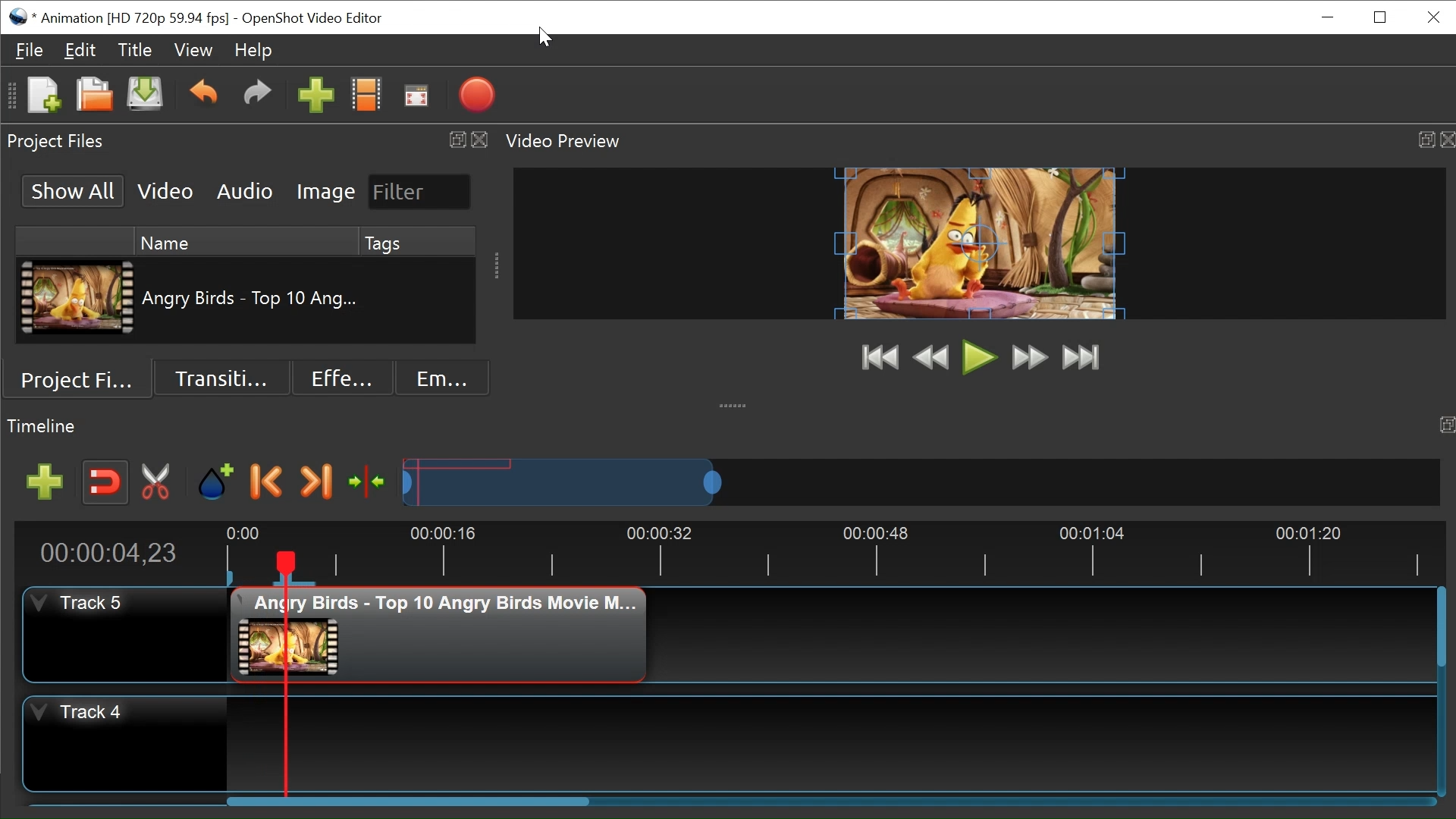 Image resolution: width=1456 pixels, height=819 pixels. What do you see at coordinates (267, 482) in the screenshot?
I see `Previous Marker` at bounding box center [267, 482].